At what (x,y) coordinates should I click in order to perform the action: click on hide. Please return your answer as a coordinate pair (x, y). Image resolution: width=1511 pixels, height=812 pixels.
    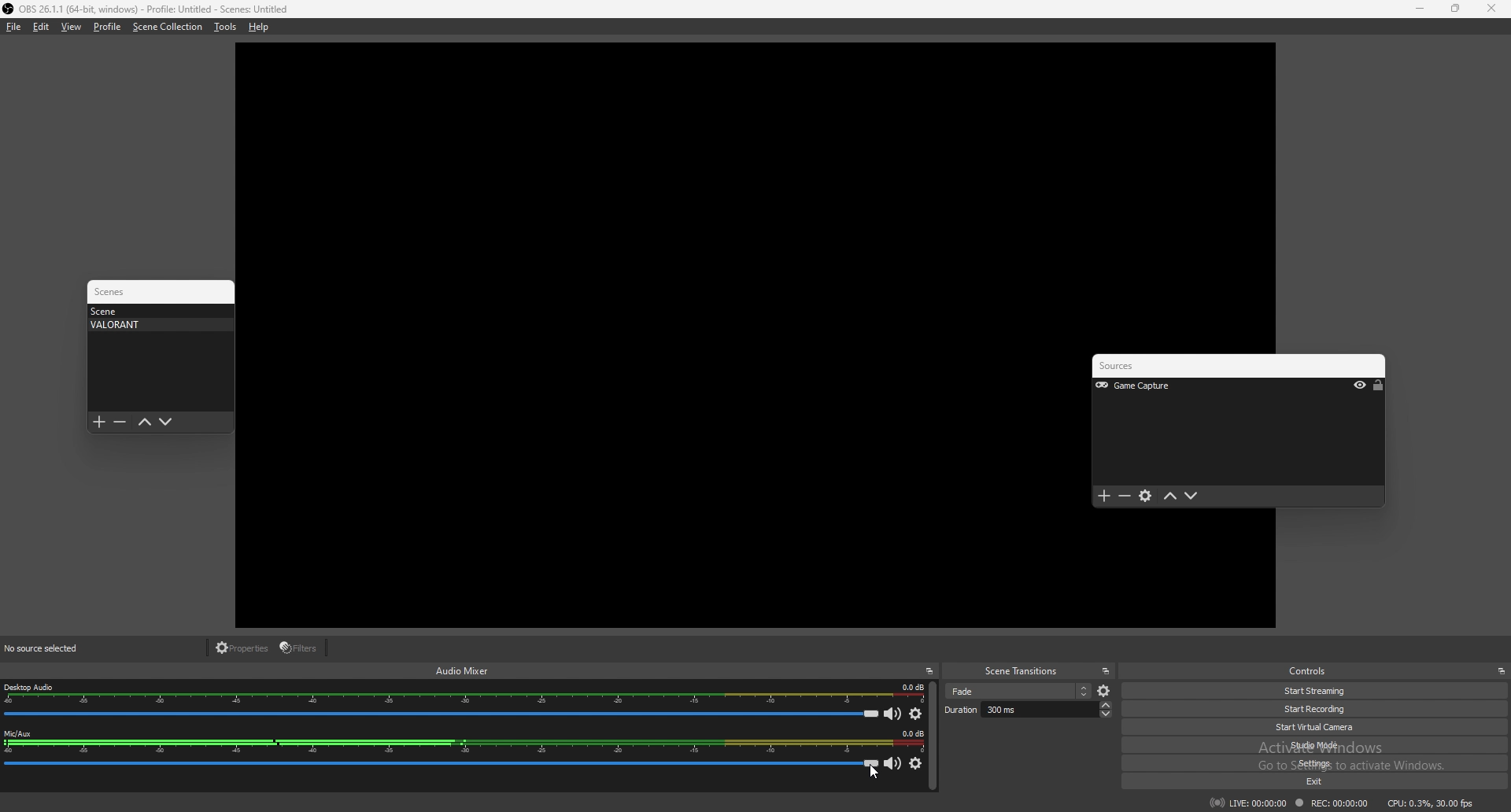
    Looking at the image, I should click on (1360, 386).